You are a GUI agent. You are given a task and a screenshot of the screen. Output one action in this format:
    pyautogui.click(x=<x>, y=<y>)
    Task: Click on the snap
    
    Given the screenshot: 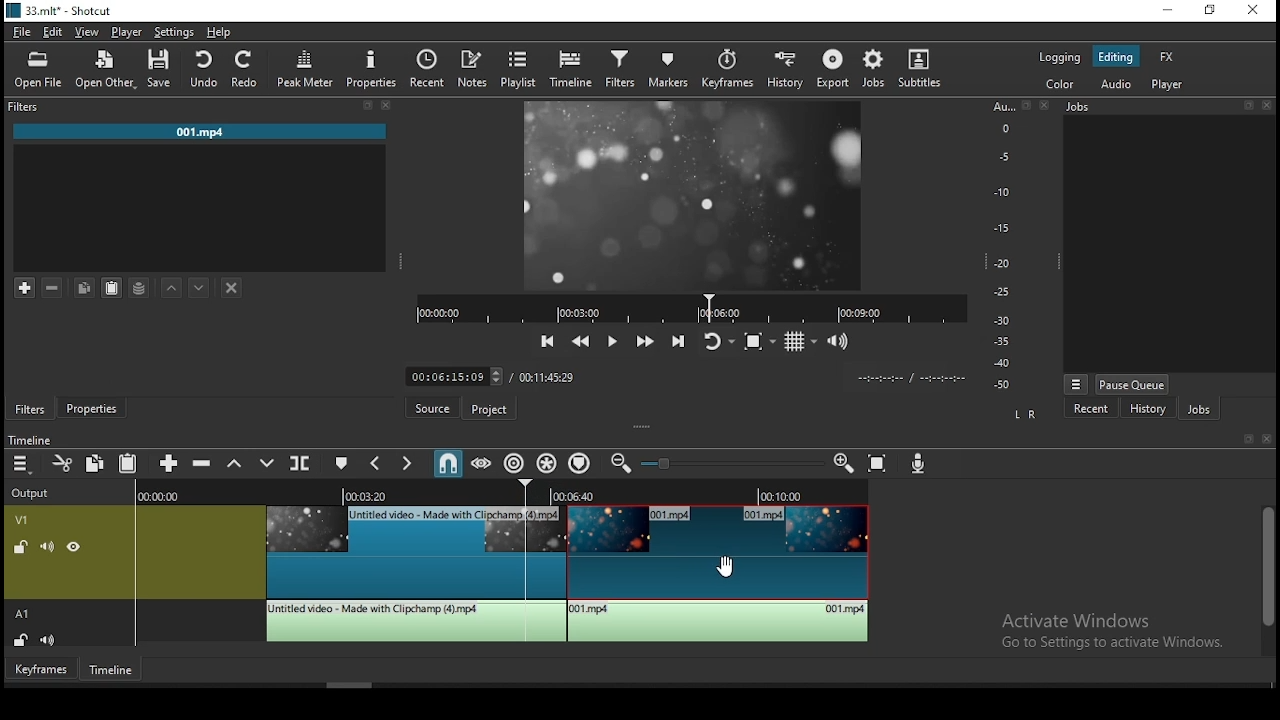 What is the action you would take?
    pyautogui.click(x=449, y=462)
    